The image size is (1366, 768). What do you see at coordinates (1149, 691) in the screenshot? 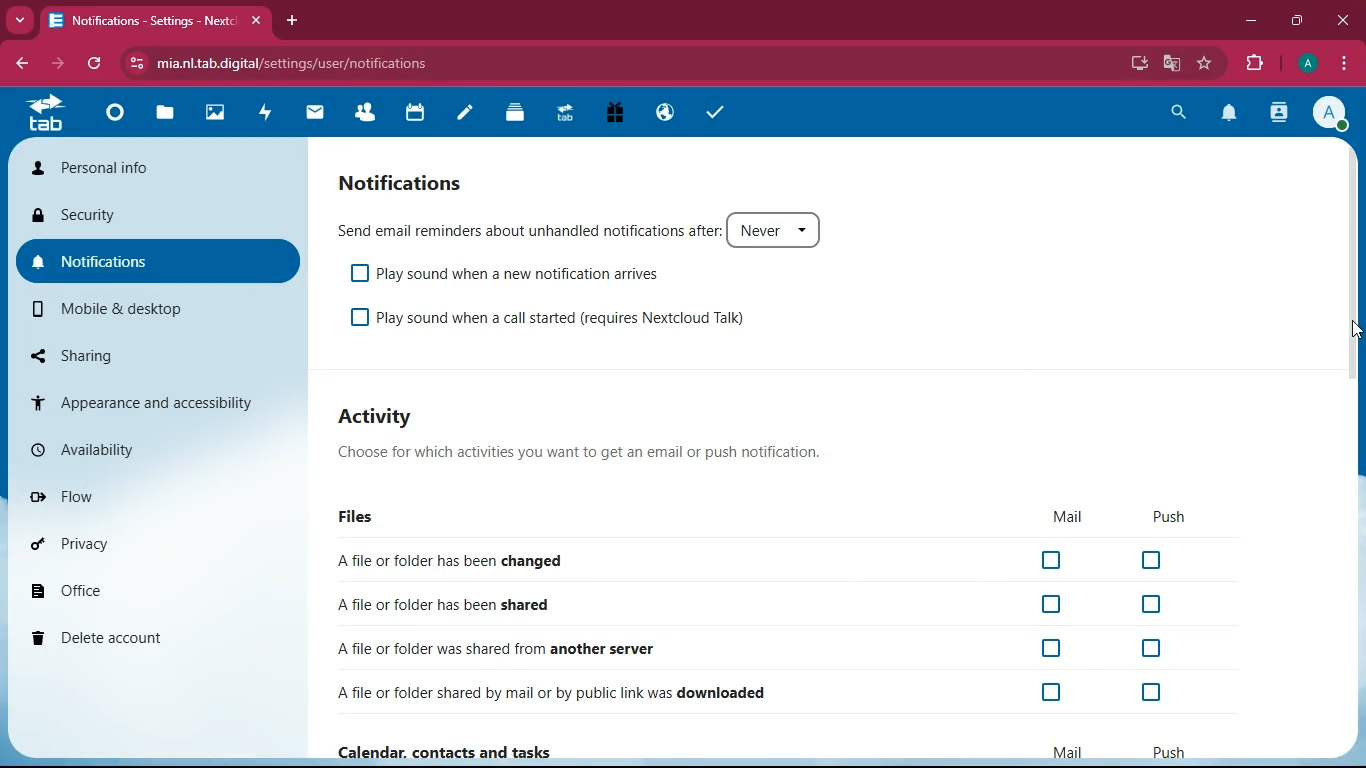
I see `off` at bounding box center [1149, 691].